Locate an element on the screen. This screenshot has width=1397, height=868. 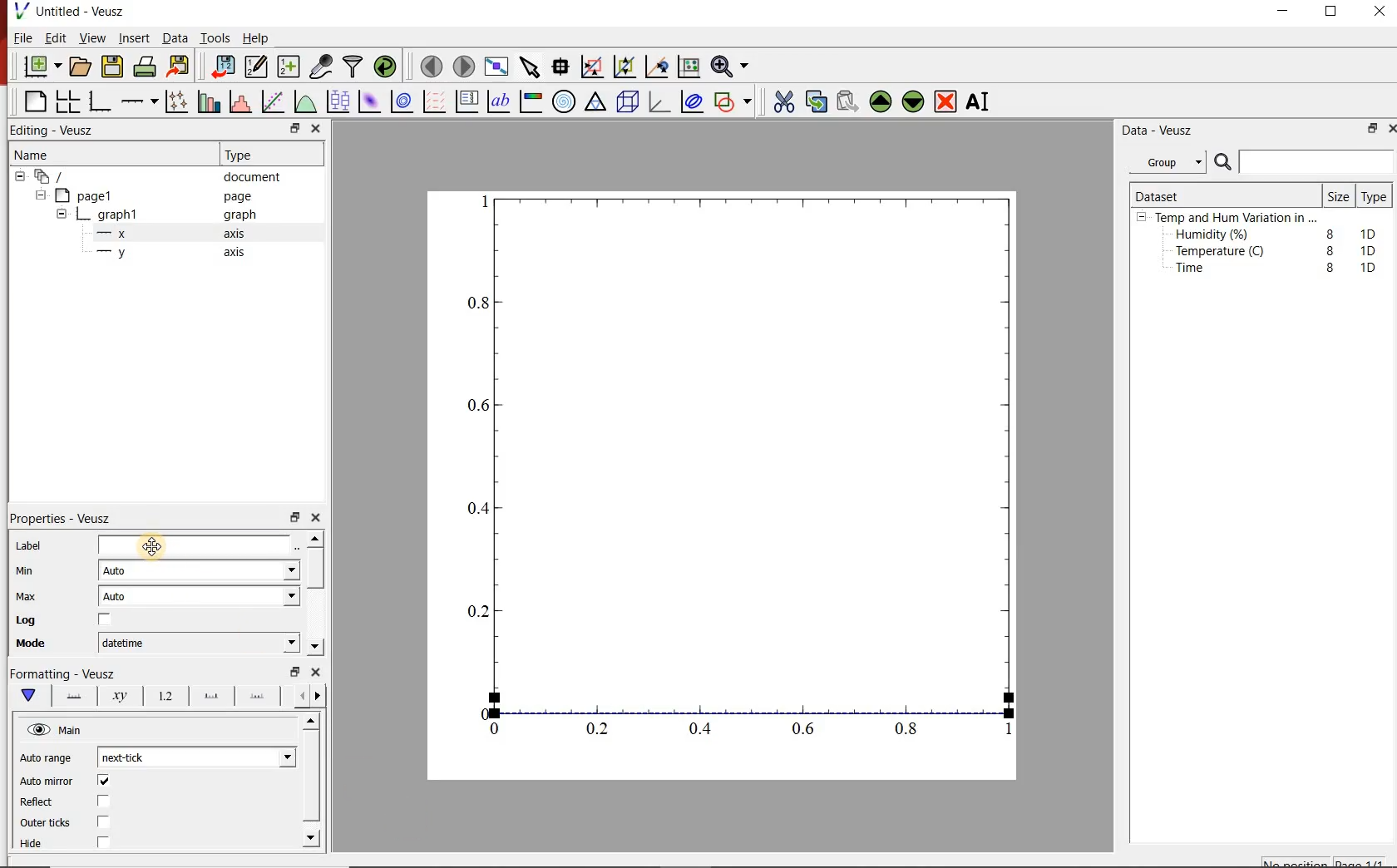
filter data is located at coordinates (353, 67).